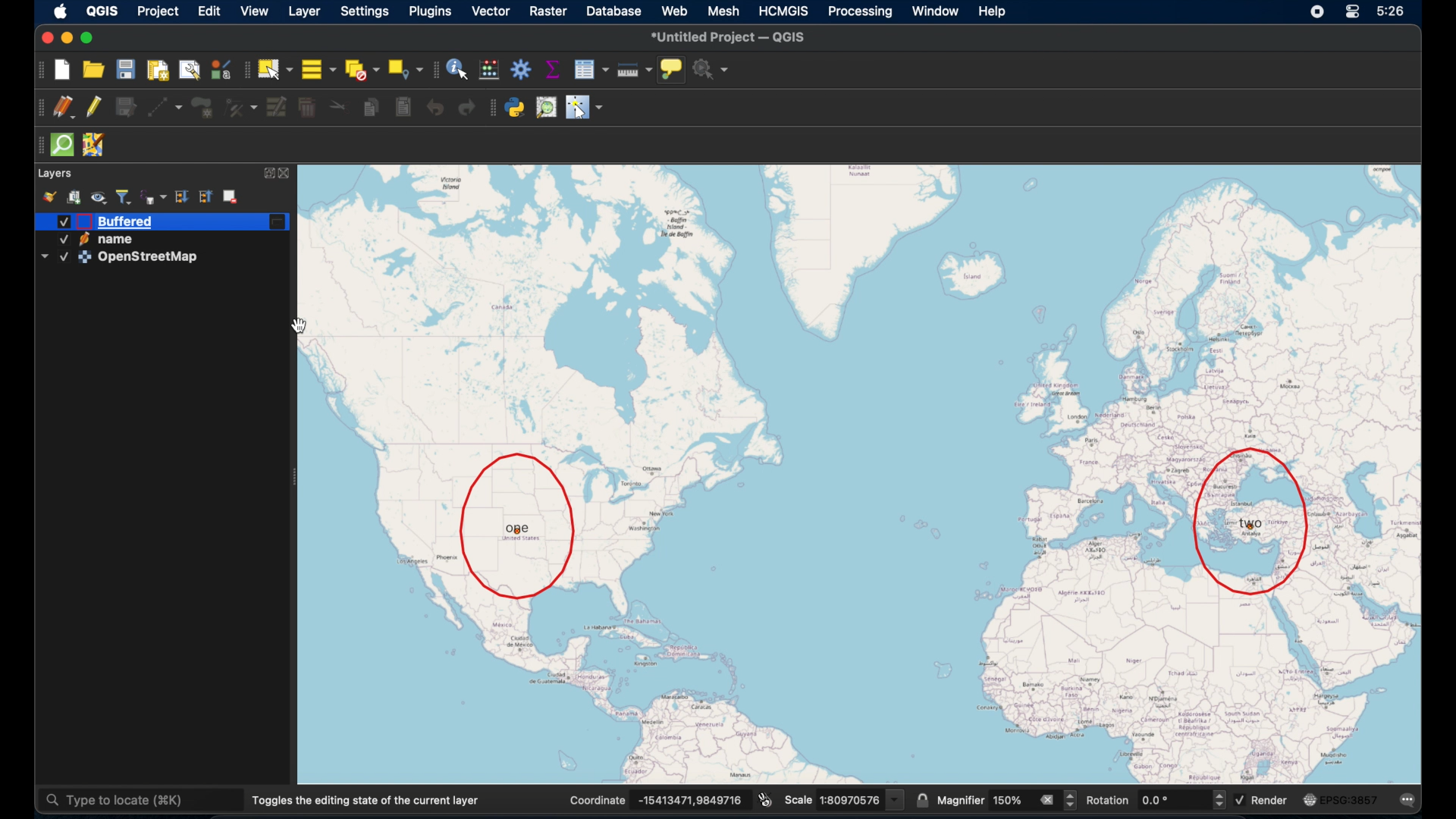 Image resolution: width=1456 pixels, height=819 pixels. What do you see at coordinates (94, 146) in the screenshot?
I see `josh remote` at bounding box center [94, 146].